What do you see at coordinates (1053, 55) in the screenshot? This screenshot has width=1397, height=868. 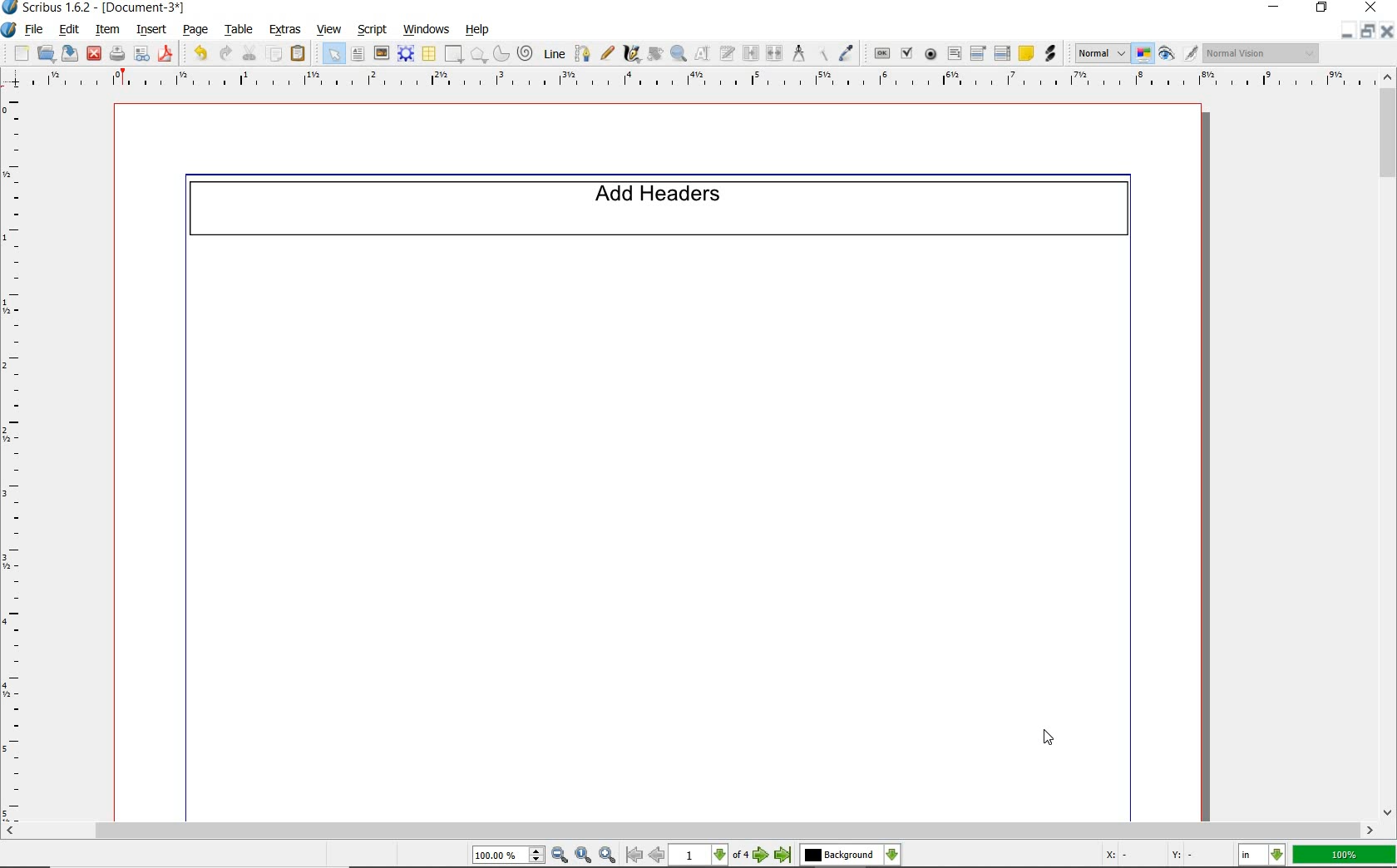 I see `link annotation` at bounding box center [1053, 55].